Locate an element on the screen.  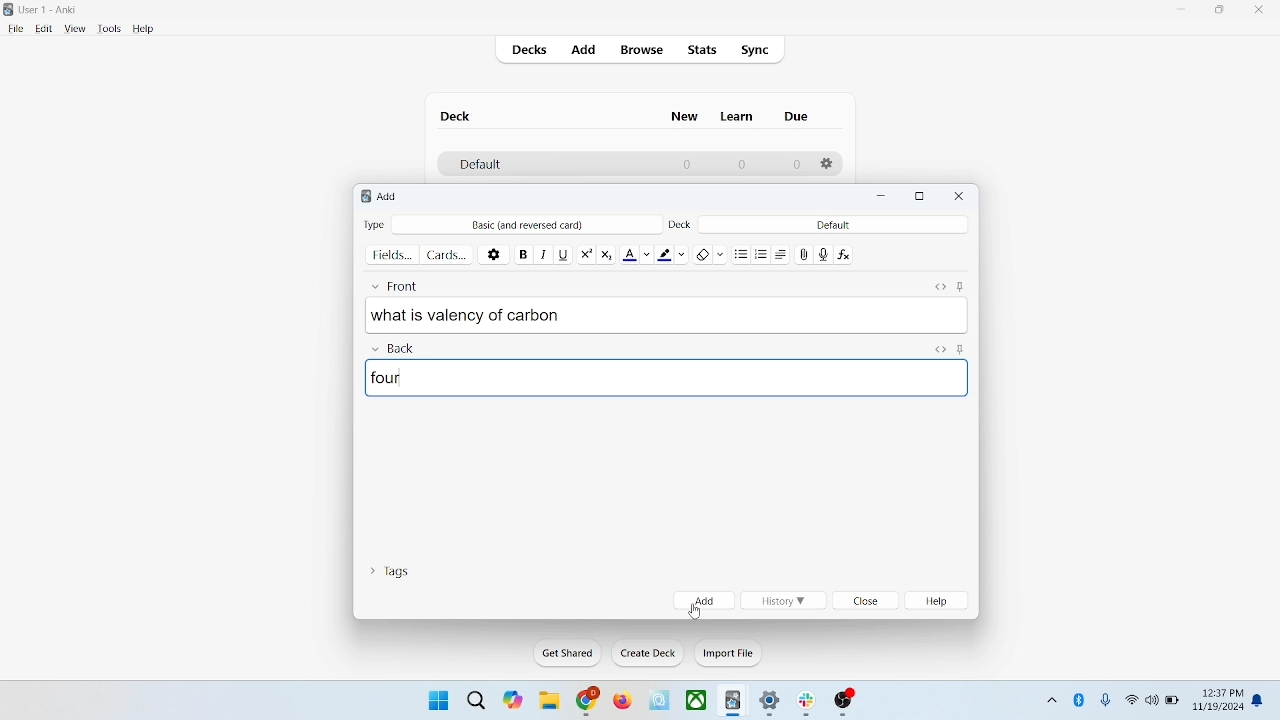
subscript is located at coordinates (606, 252).